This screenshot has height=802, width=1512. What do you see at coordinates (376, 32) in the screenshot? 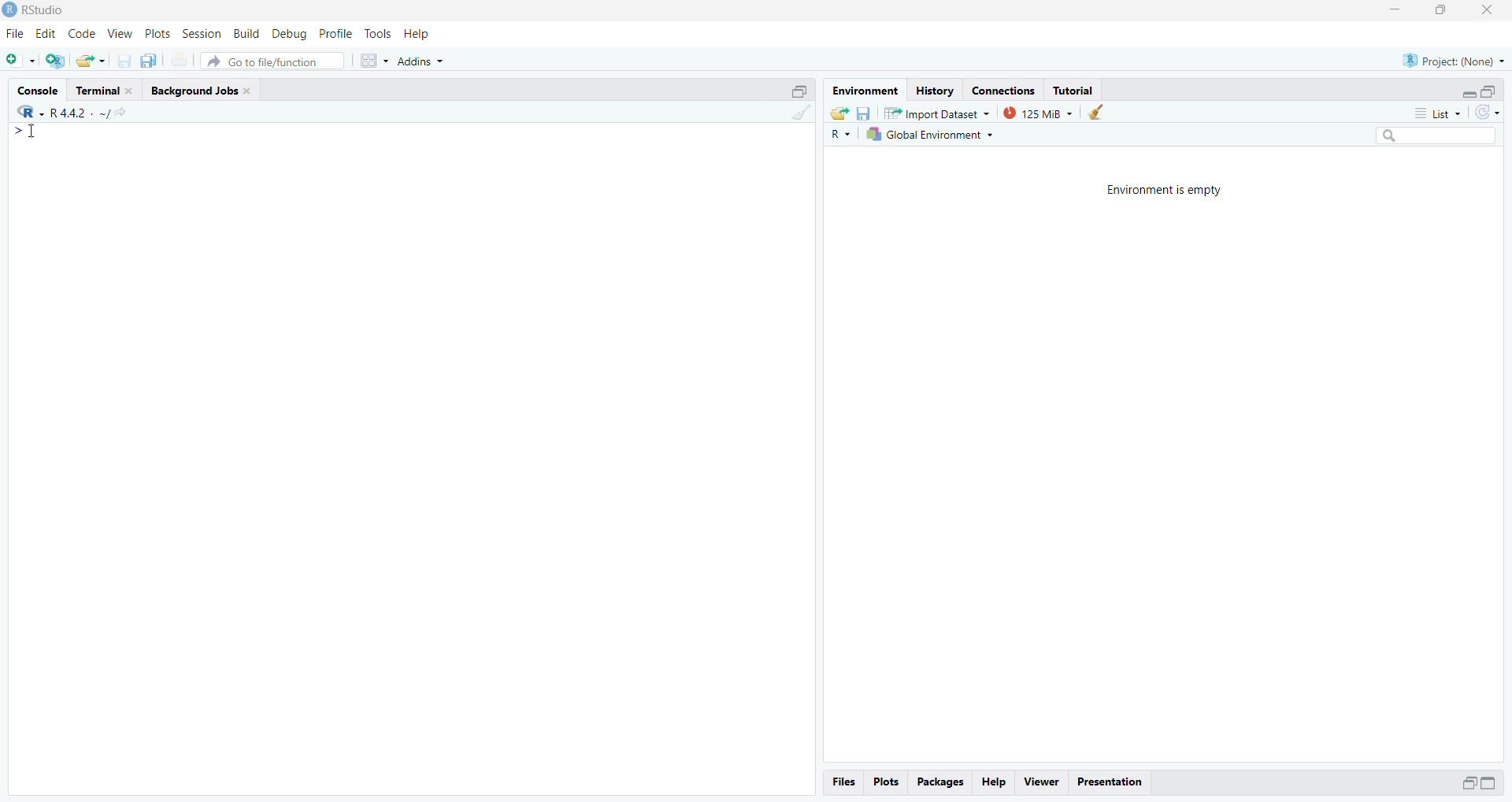
I see `Tools` at bounding box center [376, 32].